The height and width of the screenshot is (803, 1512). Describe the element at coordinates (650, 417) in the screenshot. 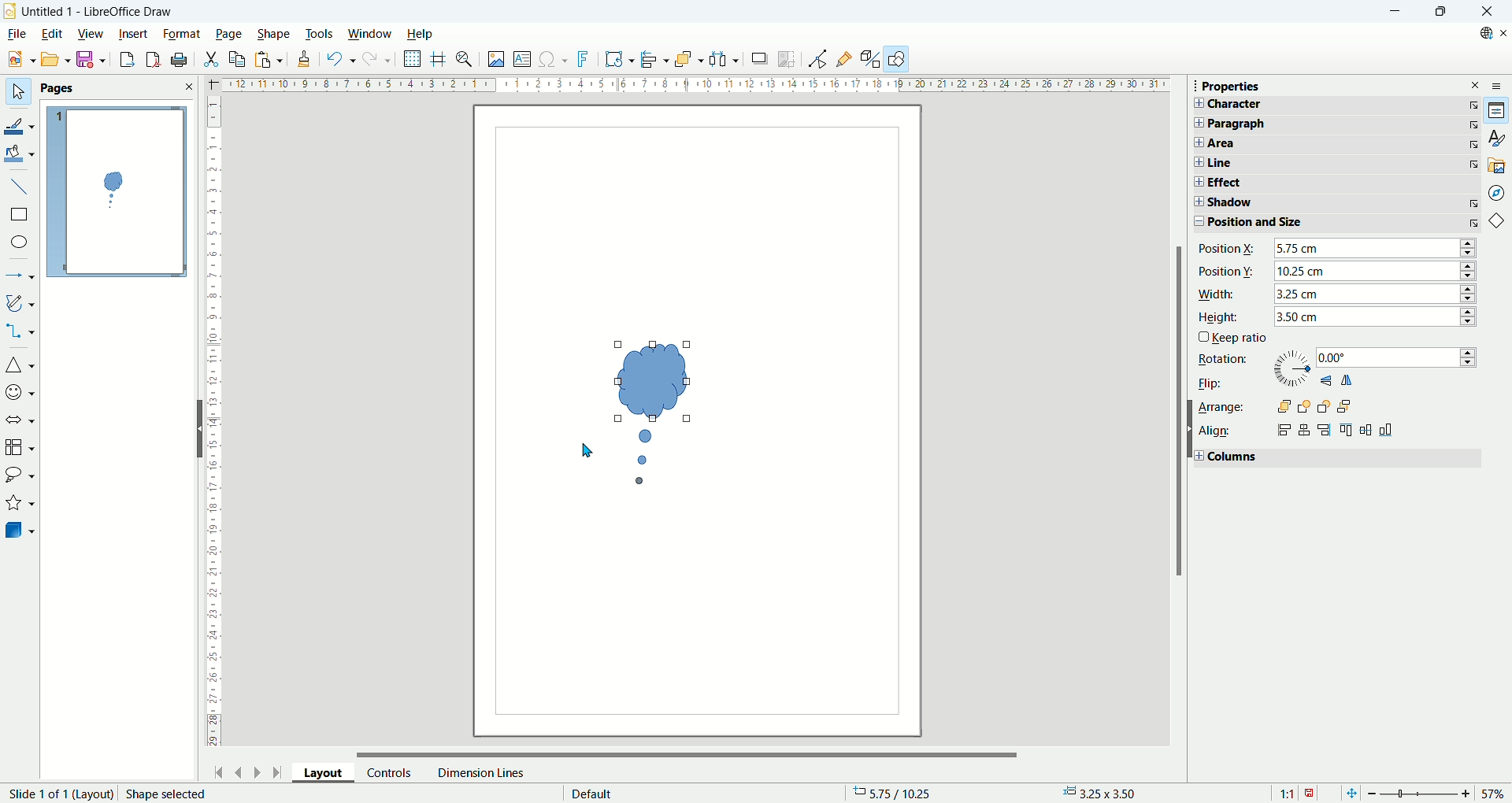

I see `Callout shape` at that location.